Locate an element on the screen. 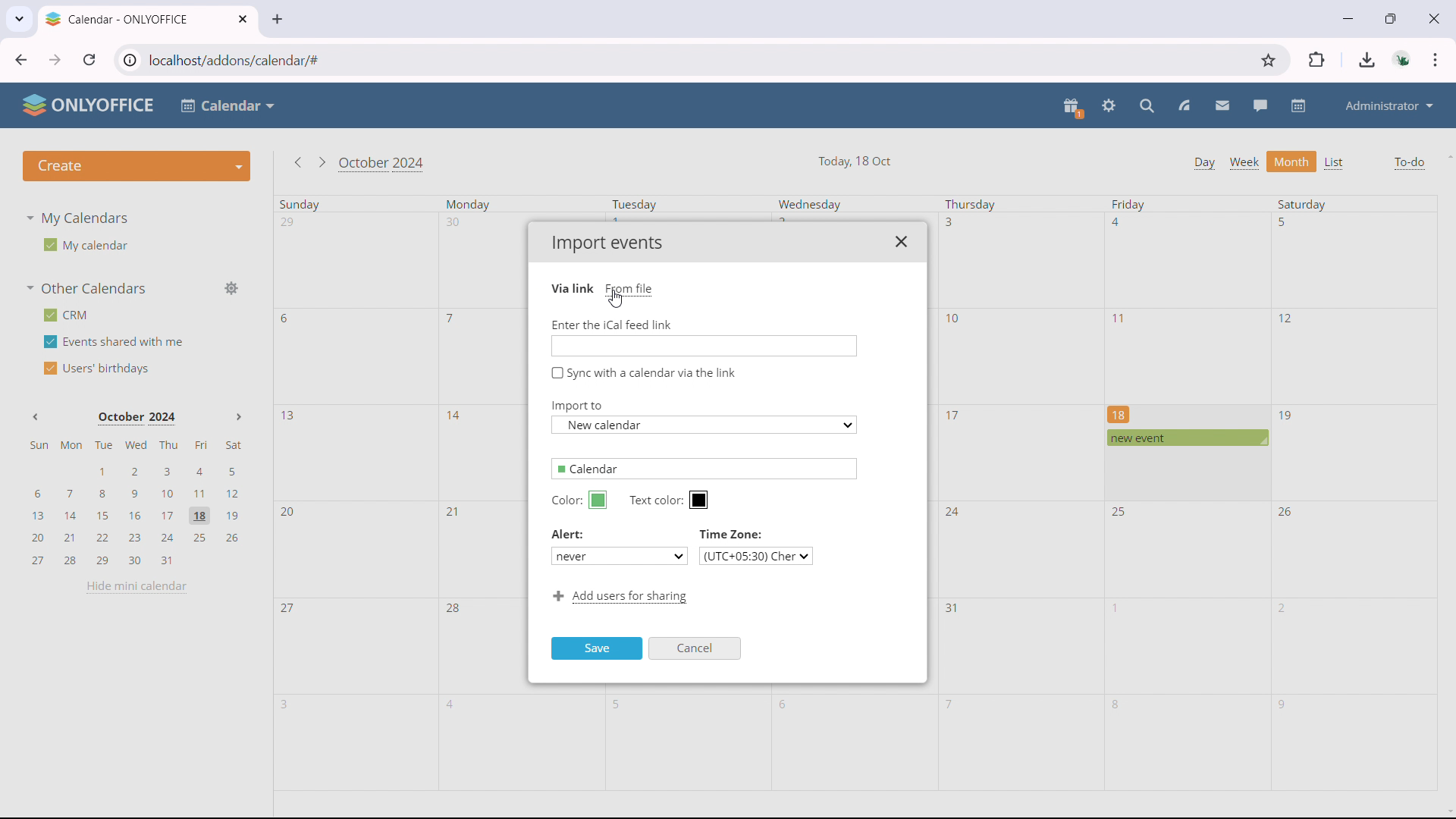 The width and height of the screenshot is (1456, 819). 7 is located at coordinates (452, 319).